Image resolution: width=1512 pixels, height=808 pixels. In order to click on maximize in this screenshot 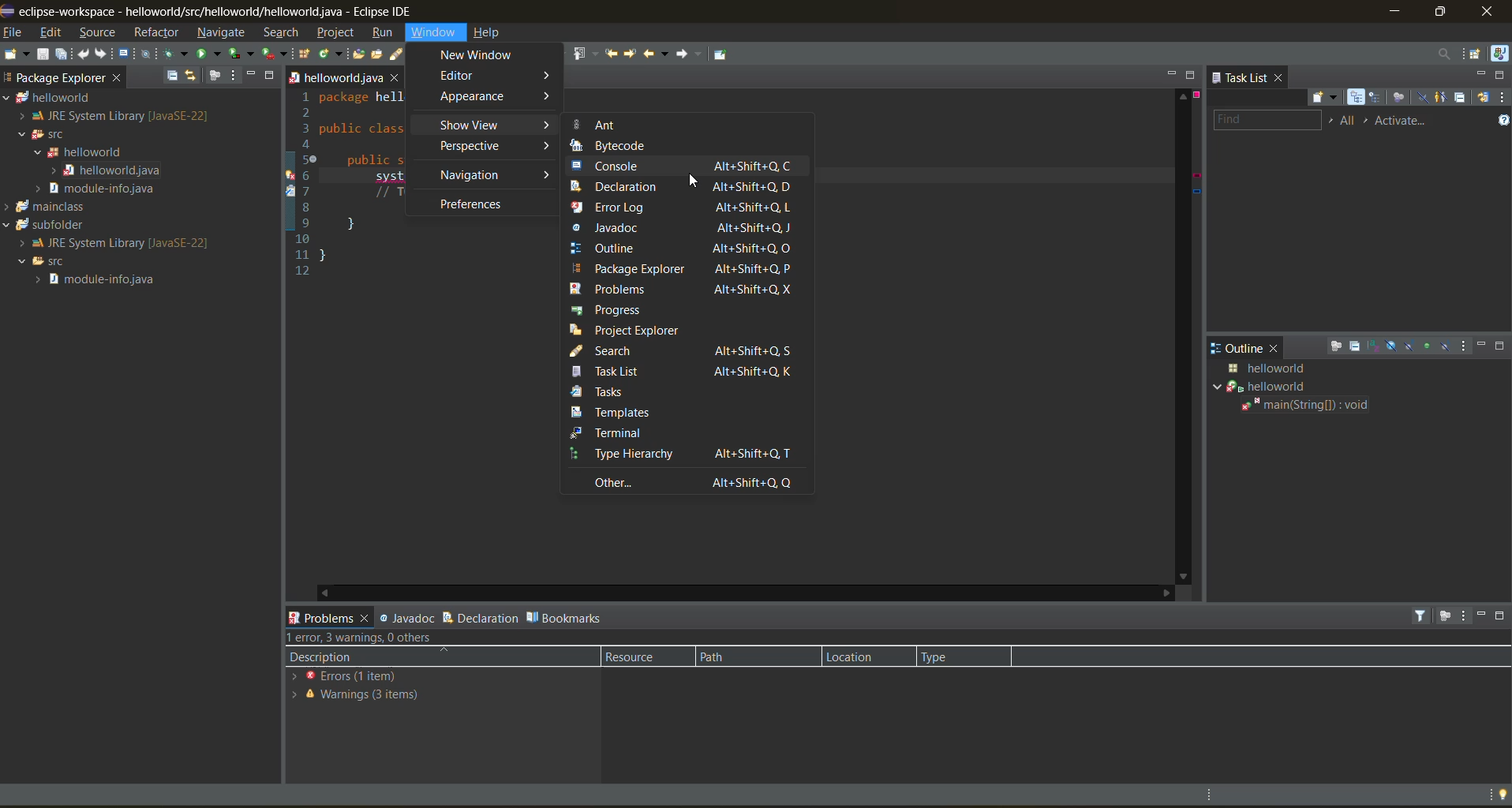, I will do `click(270, 76)`.